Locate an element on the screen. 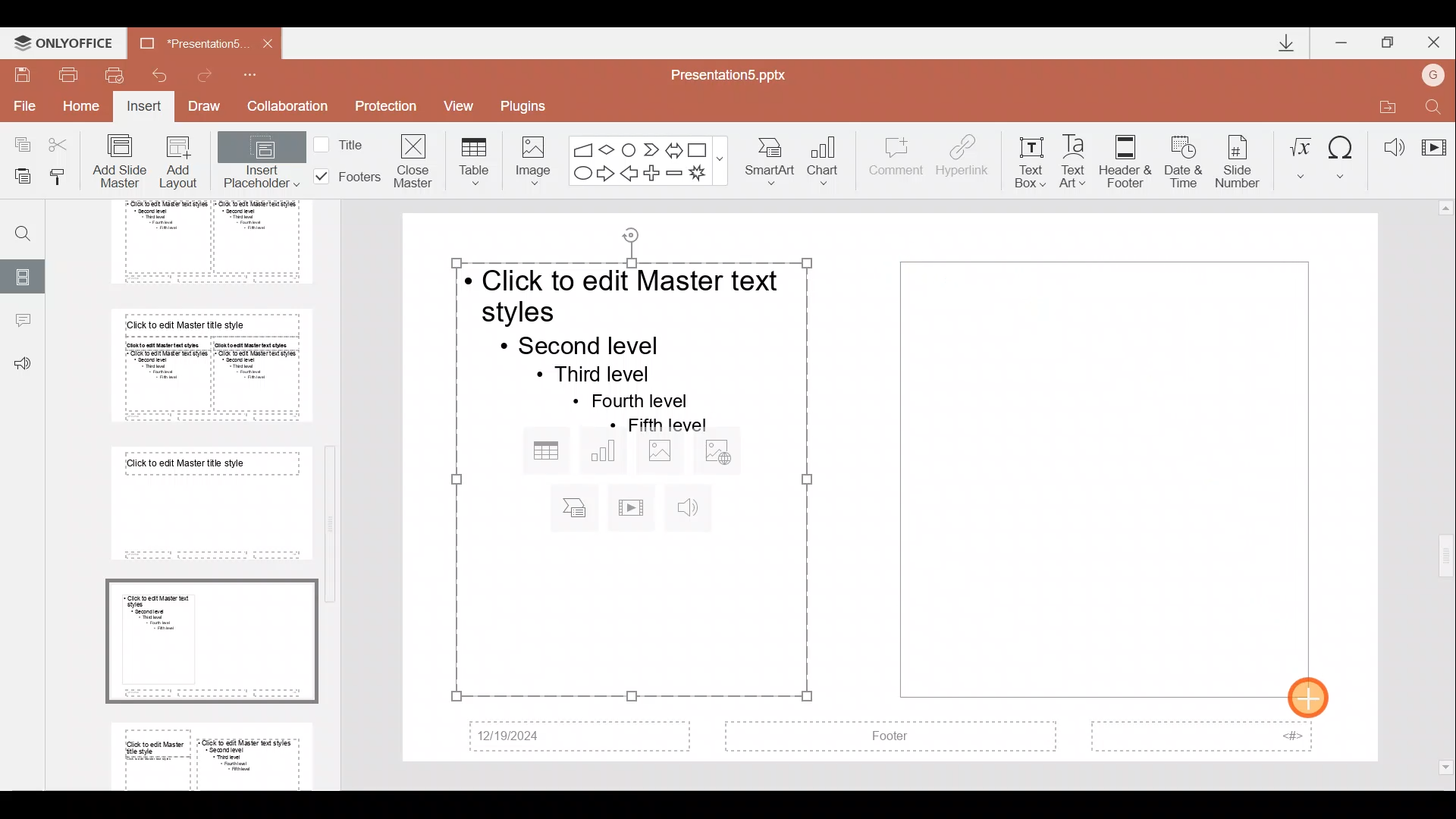 Image resolution: width=1456 pixels, height=819 pixels. Image is located at coordinates (529, 158).